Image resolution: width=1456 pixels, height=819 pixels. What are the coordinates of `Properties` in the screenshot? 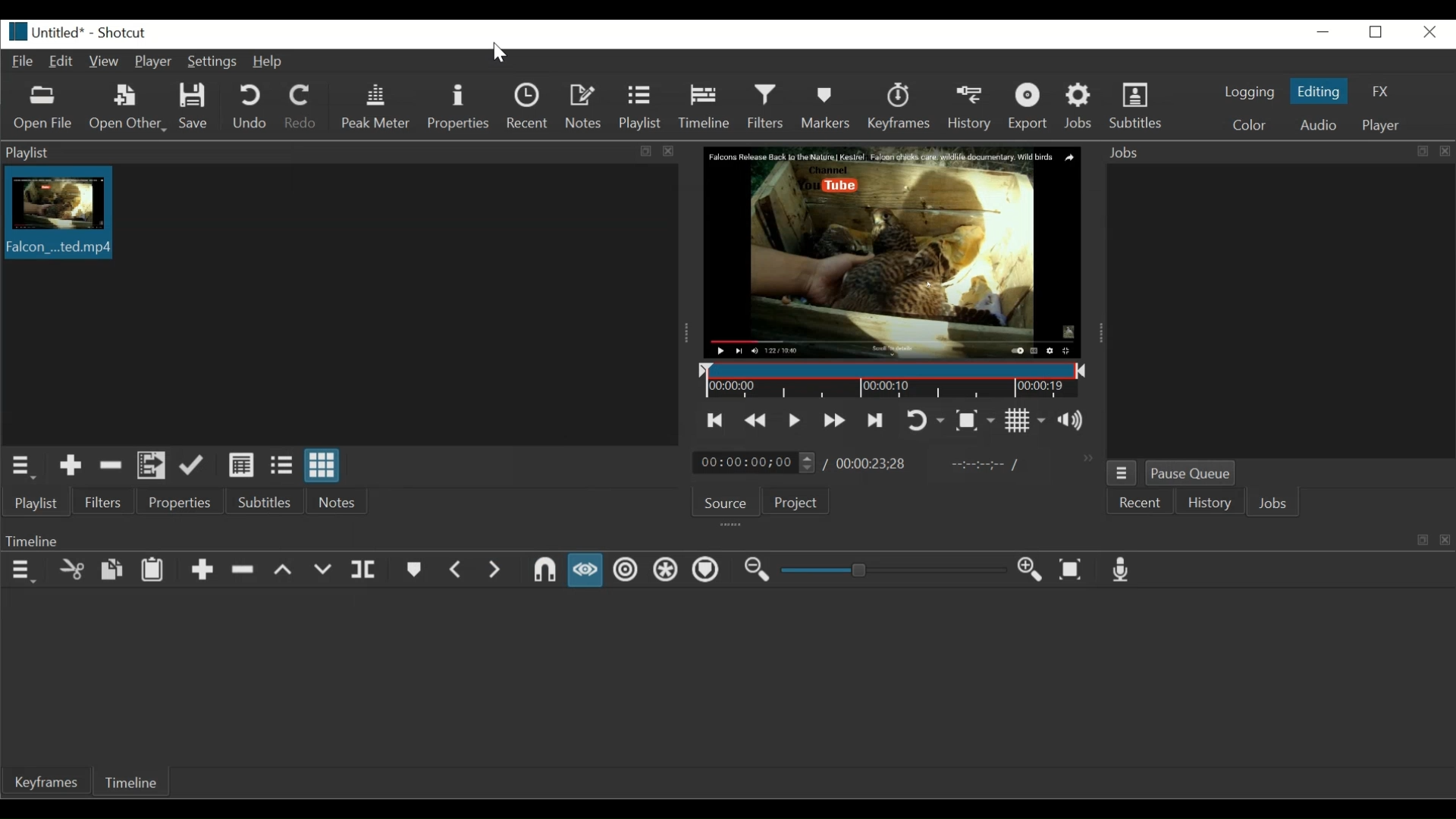 It's located at (178, 500).